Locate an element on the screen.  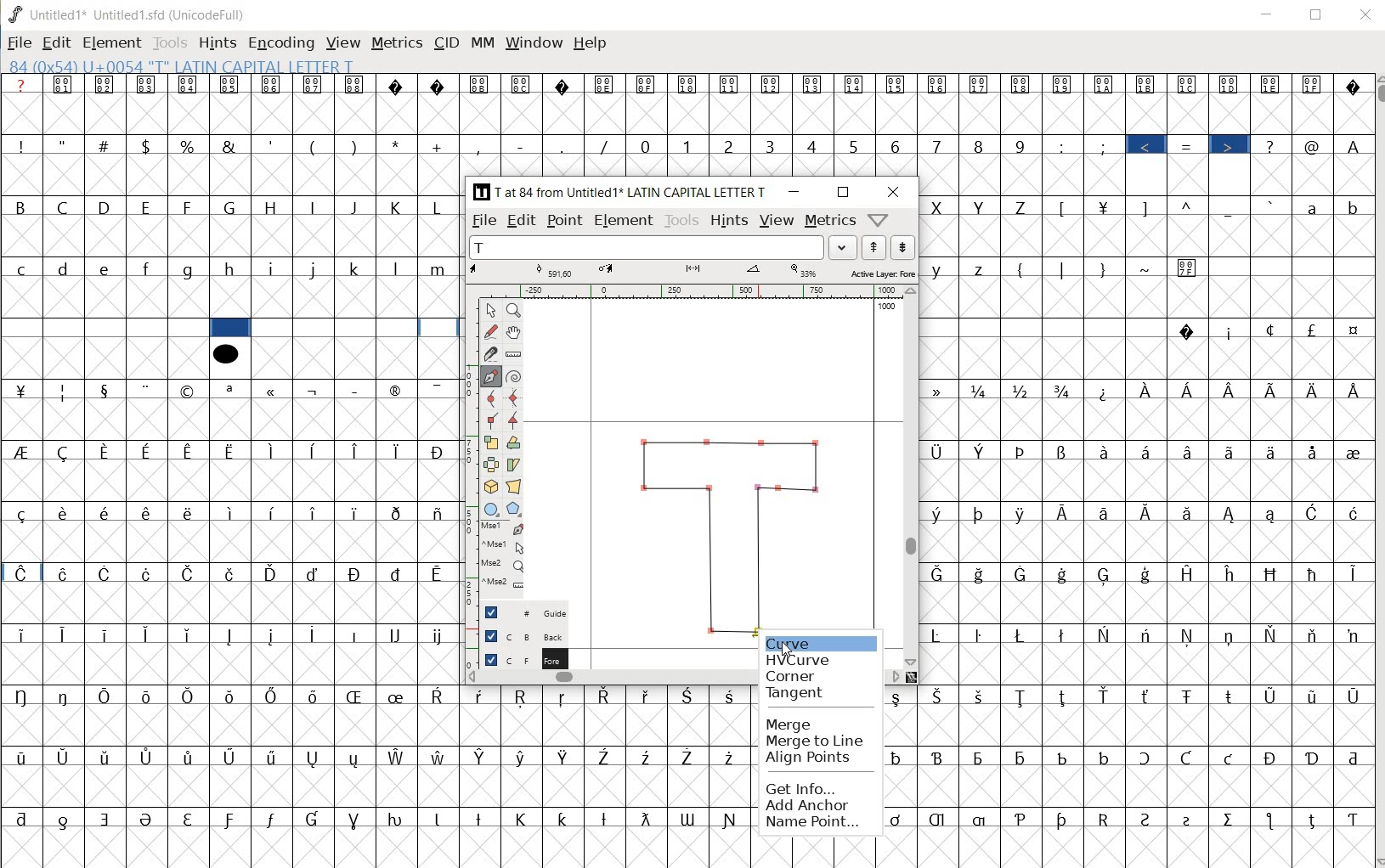
Symbol is located at coordinates (1310, 695).